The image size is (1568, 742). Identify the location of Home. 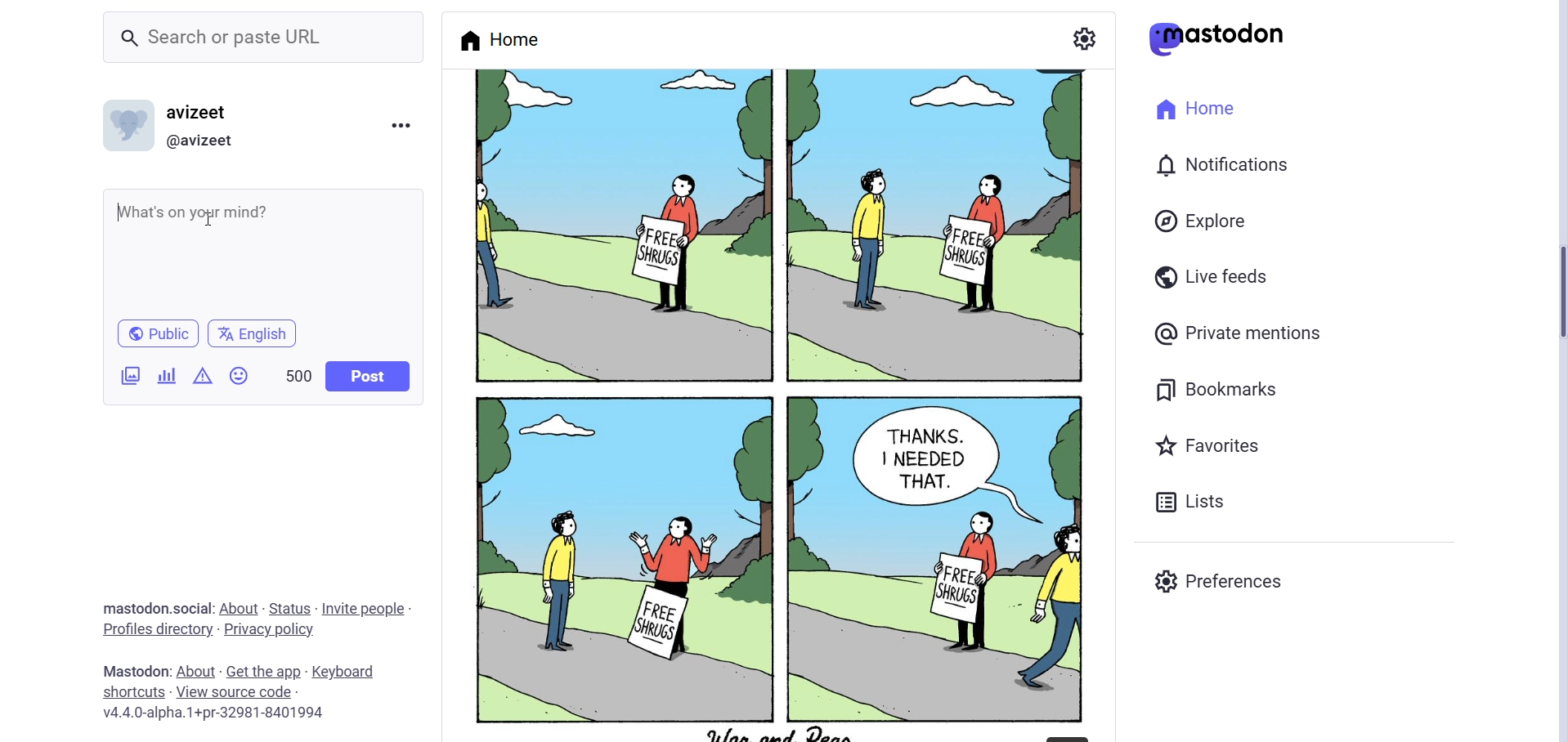
(1198, 111).